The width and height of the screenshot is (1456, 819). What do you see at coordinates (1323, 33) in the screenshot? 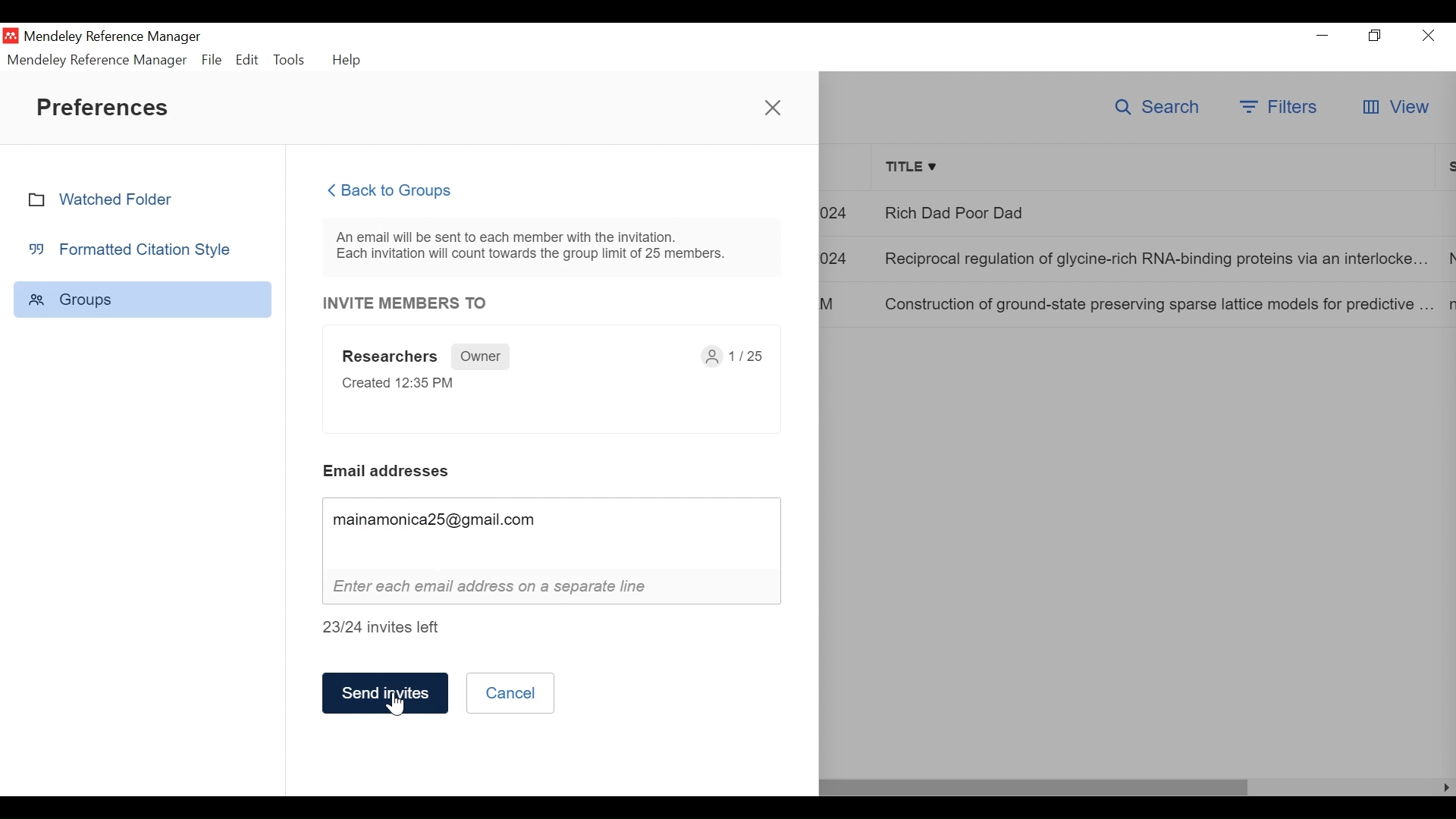
I see `minimize` at bounding box center [1323, 33].